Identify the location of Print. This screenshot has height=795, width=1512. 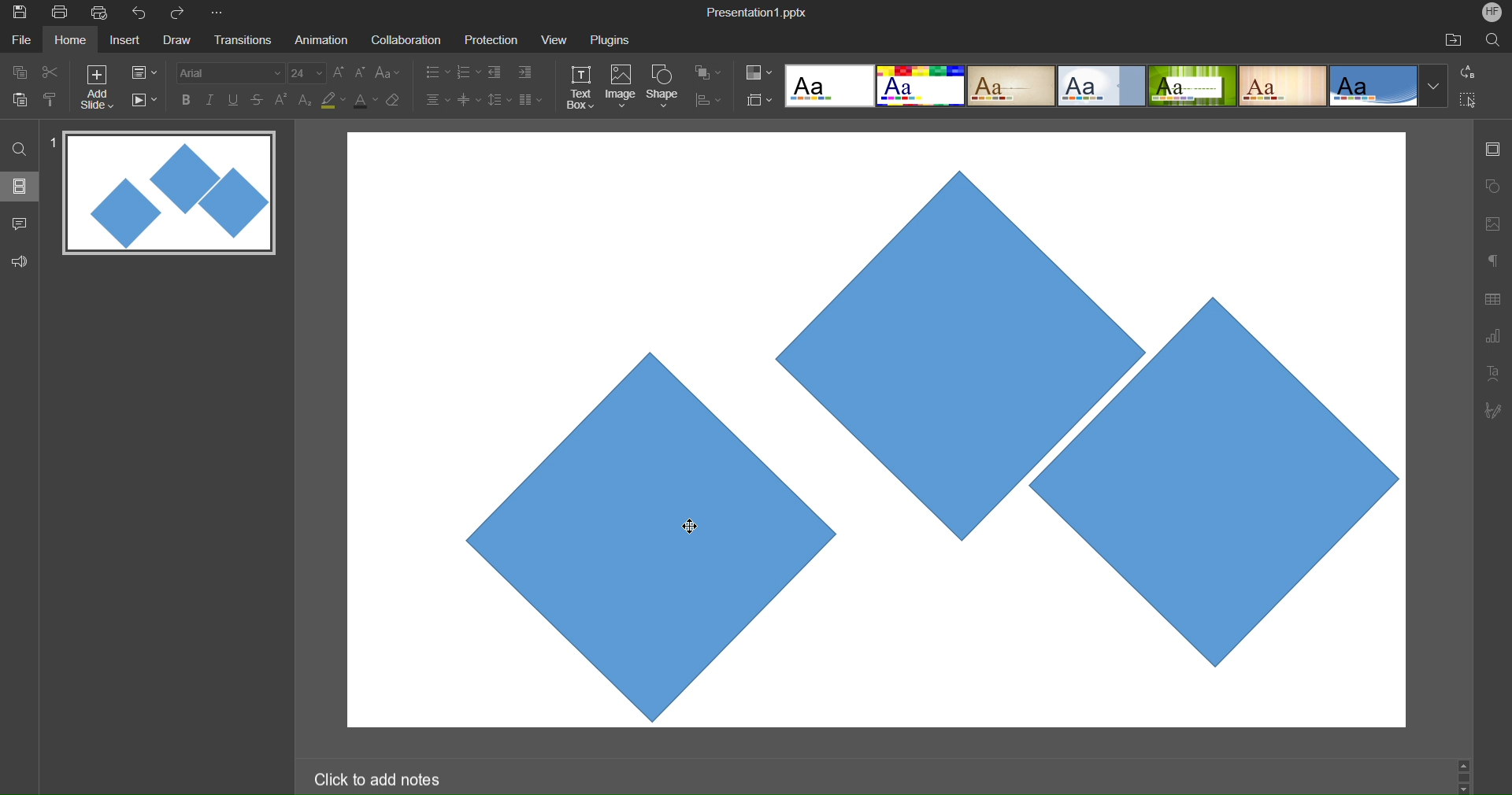
(59, 13).